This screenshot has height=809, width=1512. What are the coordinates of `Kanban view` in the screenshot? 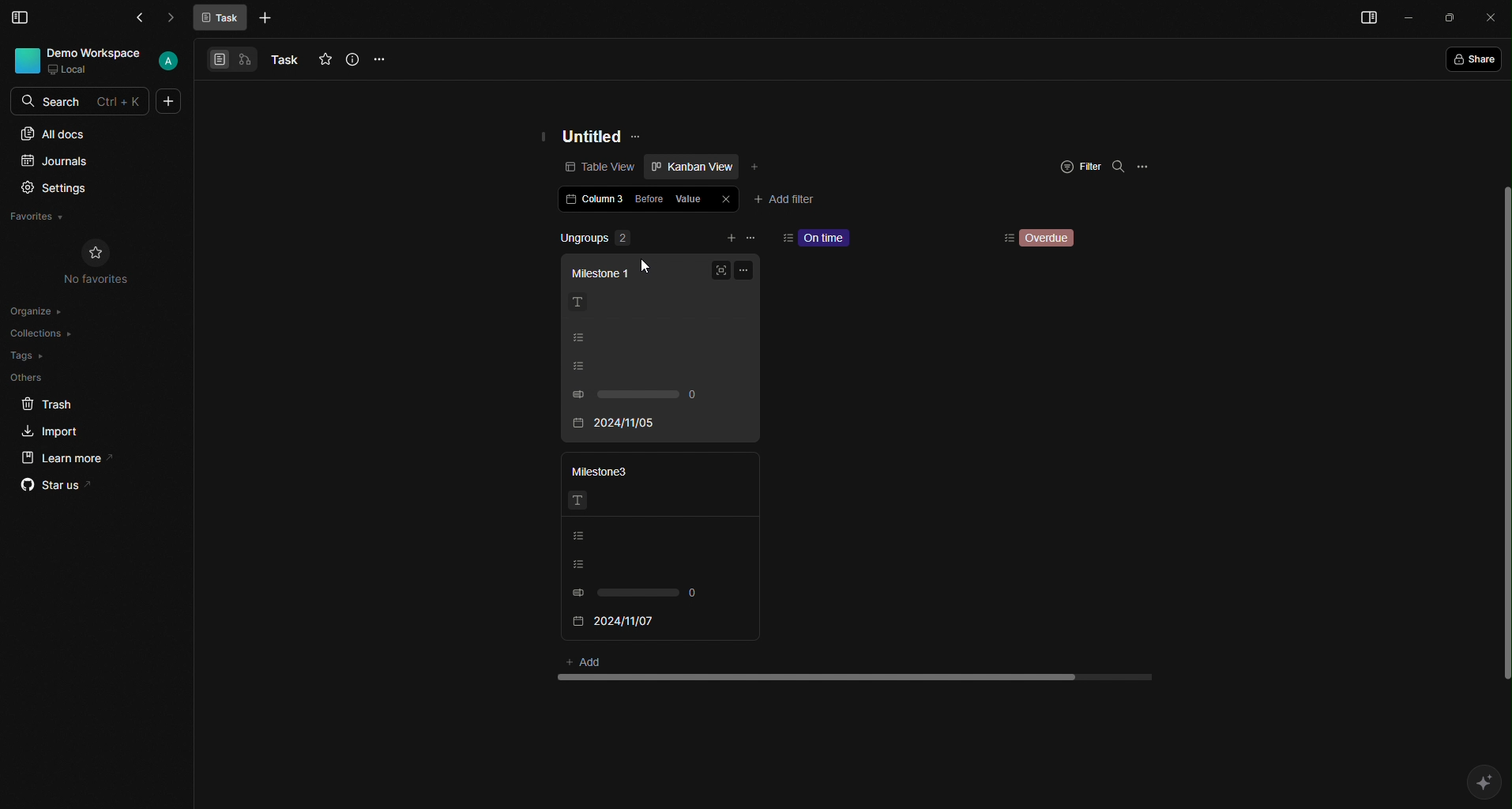 It's located at (690, 166).